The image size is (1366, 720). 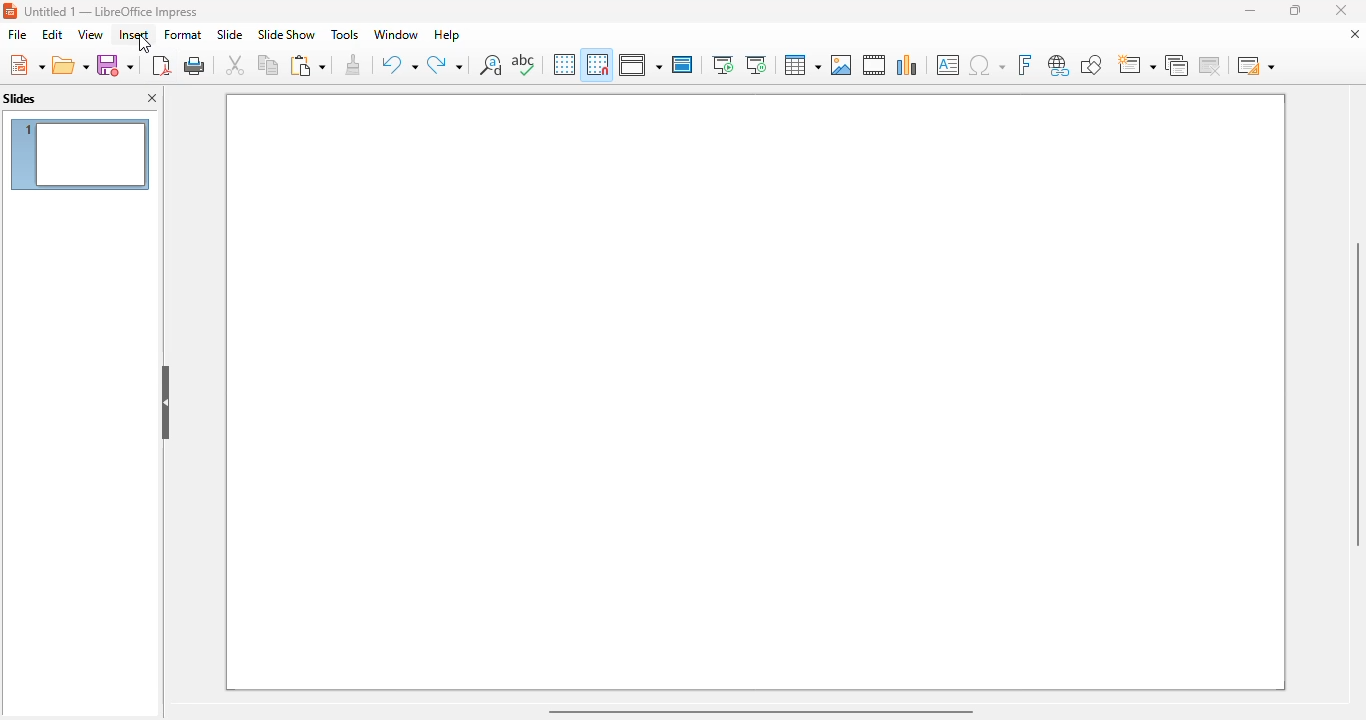 I want to click on insert audio or video, so click(x=874, y=64).